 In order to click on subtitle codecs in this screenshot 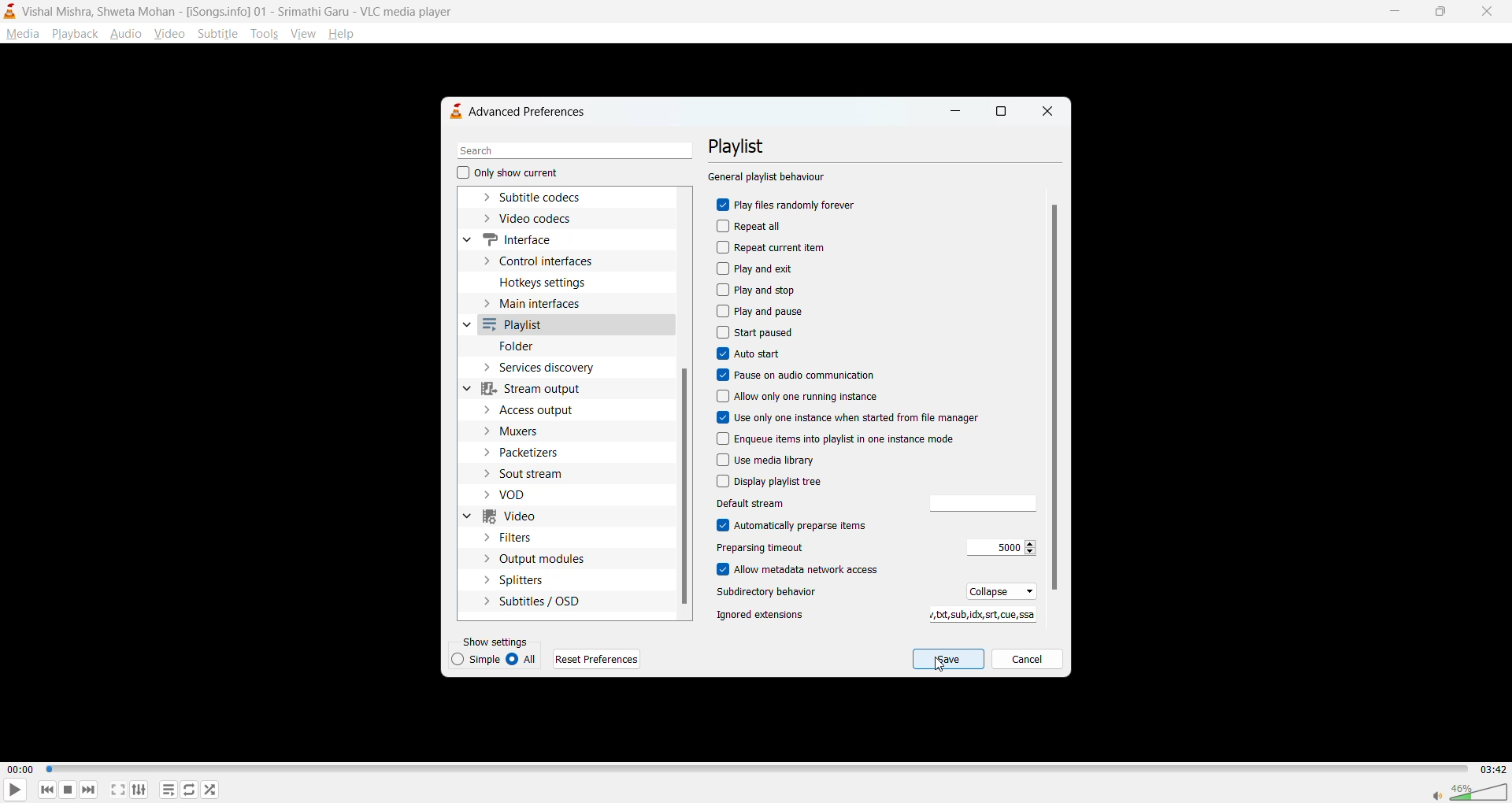, I will do `click(546, 198)`.